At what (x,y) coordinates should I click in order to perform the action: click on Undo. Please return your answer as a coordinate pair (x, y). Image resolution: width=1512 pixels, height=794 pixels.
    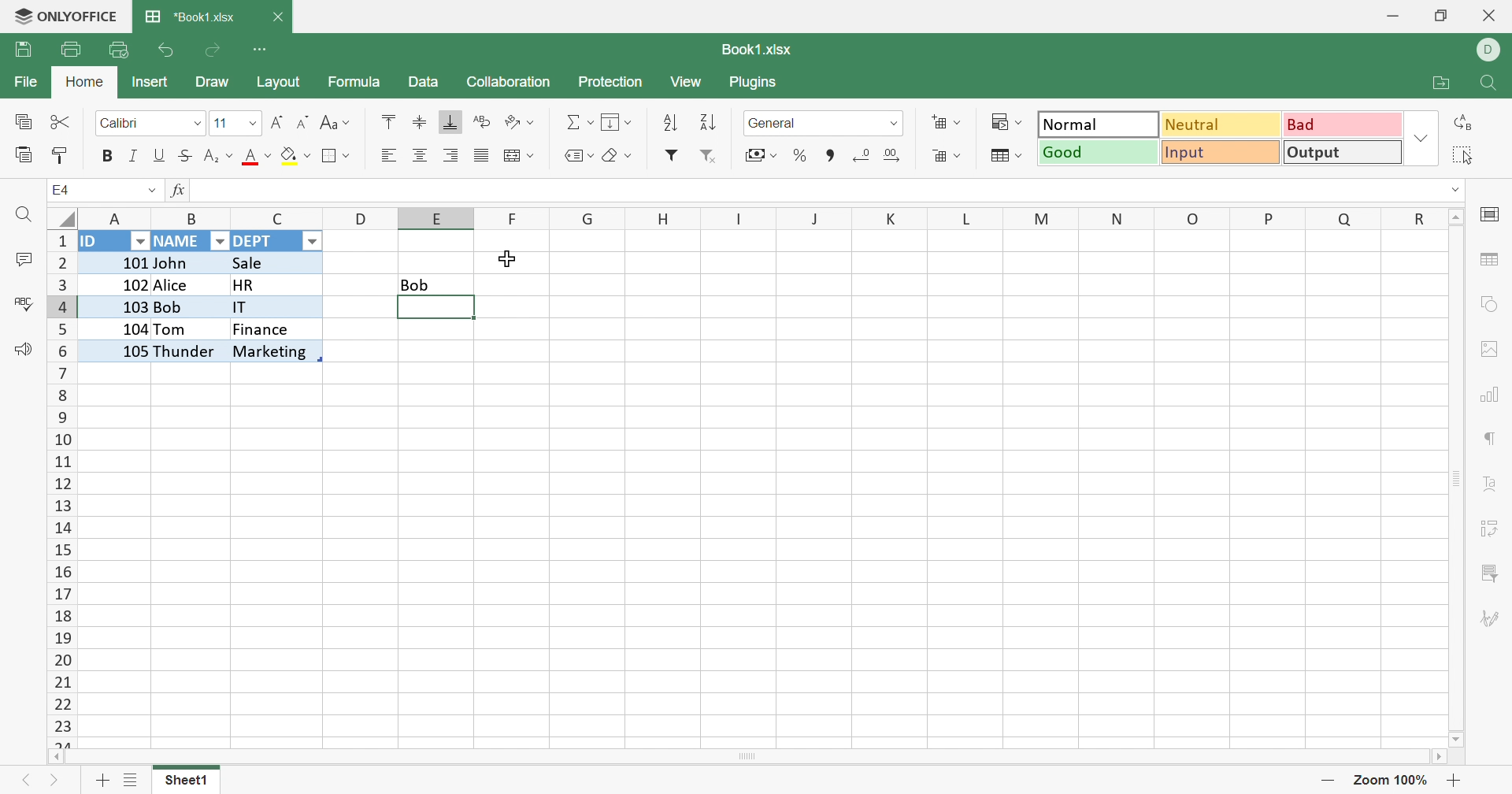
    Looking at the image, I should click on (165, 50).